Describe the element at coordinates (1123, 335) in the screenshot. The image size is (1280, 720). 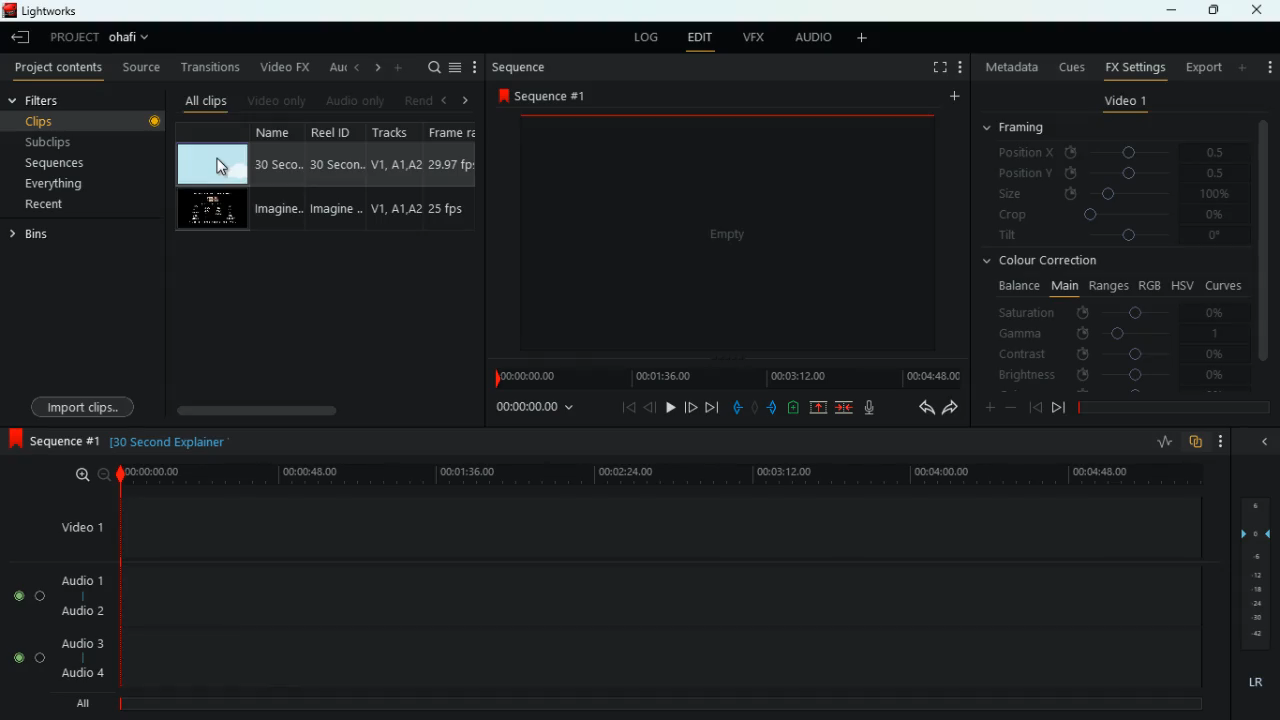
I see `gamma` at that location.